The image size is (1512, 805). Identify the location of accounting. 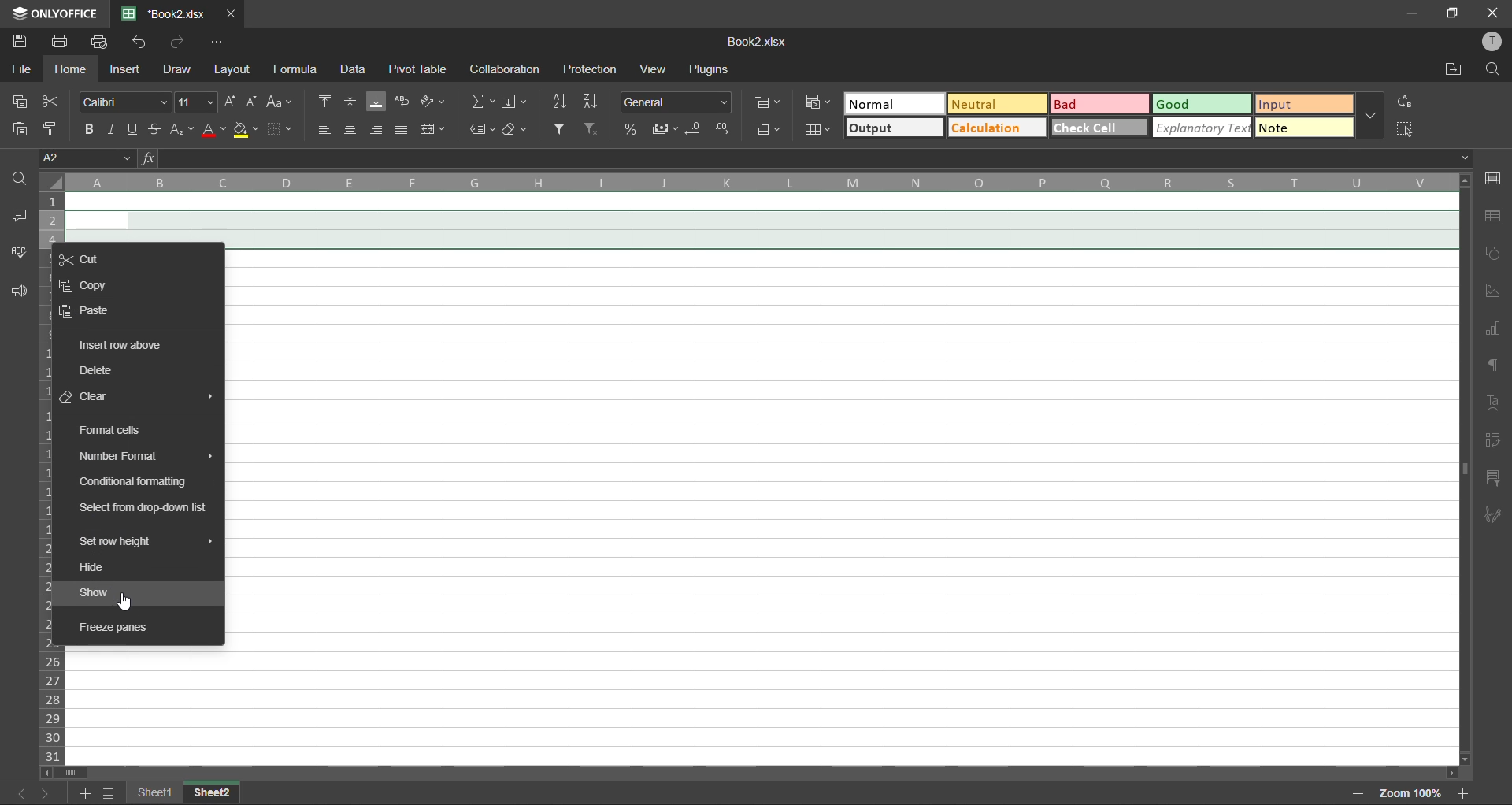
(667, 130).